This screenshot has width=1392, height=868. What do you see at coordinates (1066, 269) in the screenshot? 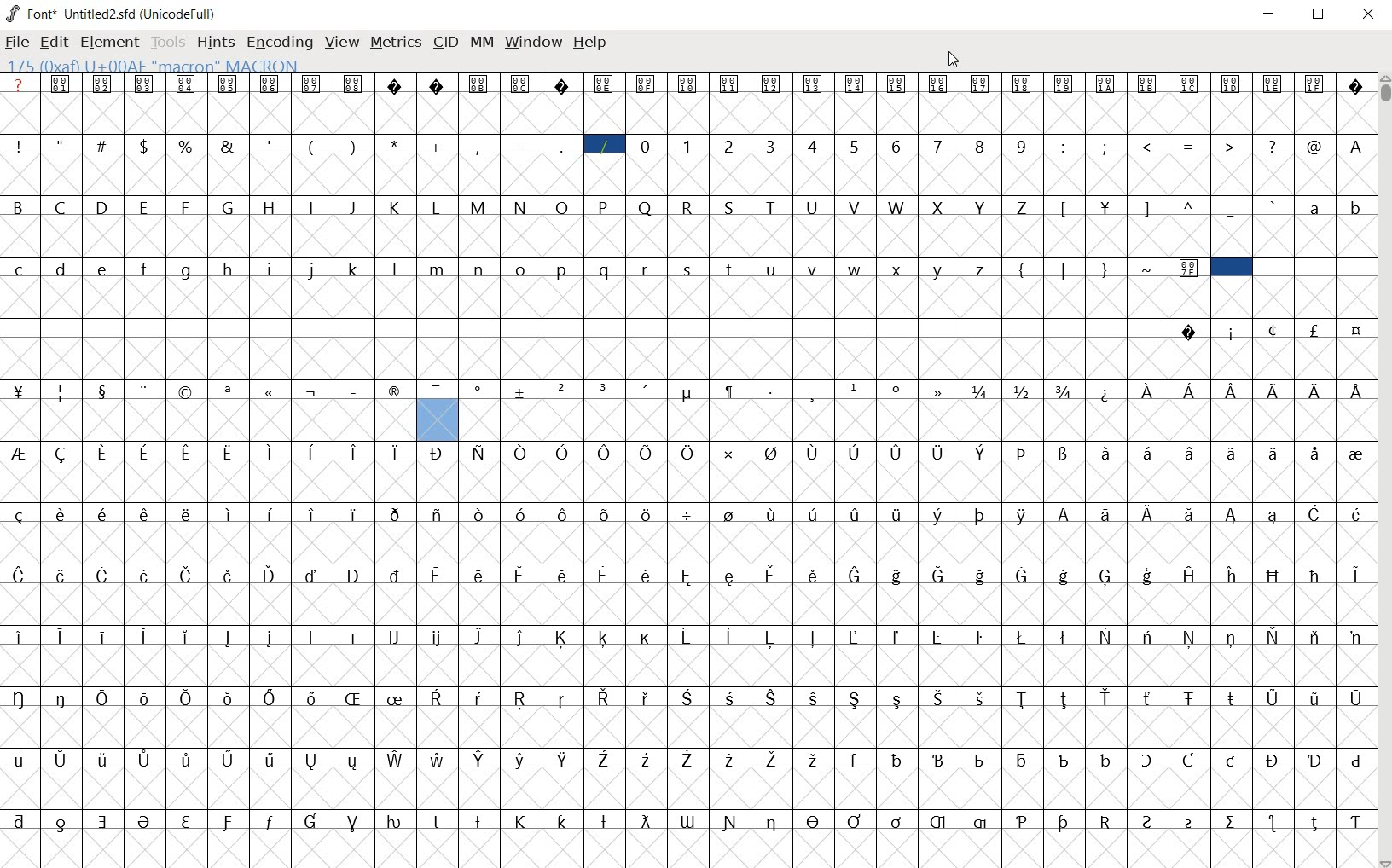
I see `|` at bounding box center [1066, 269].